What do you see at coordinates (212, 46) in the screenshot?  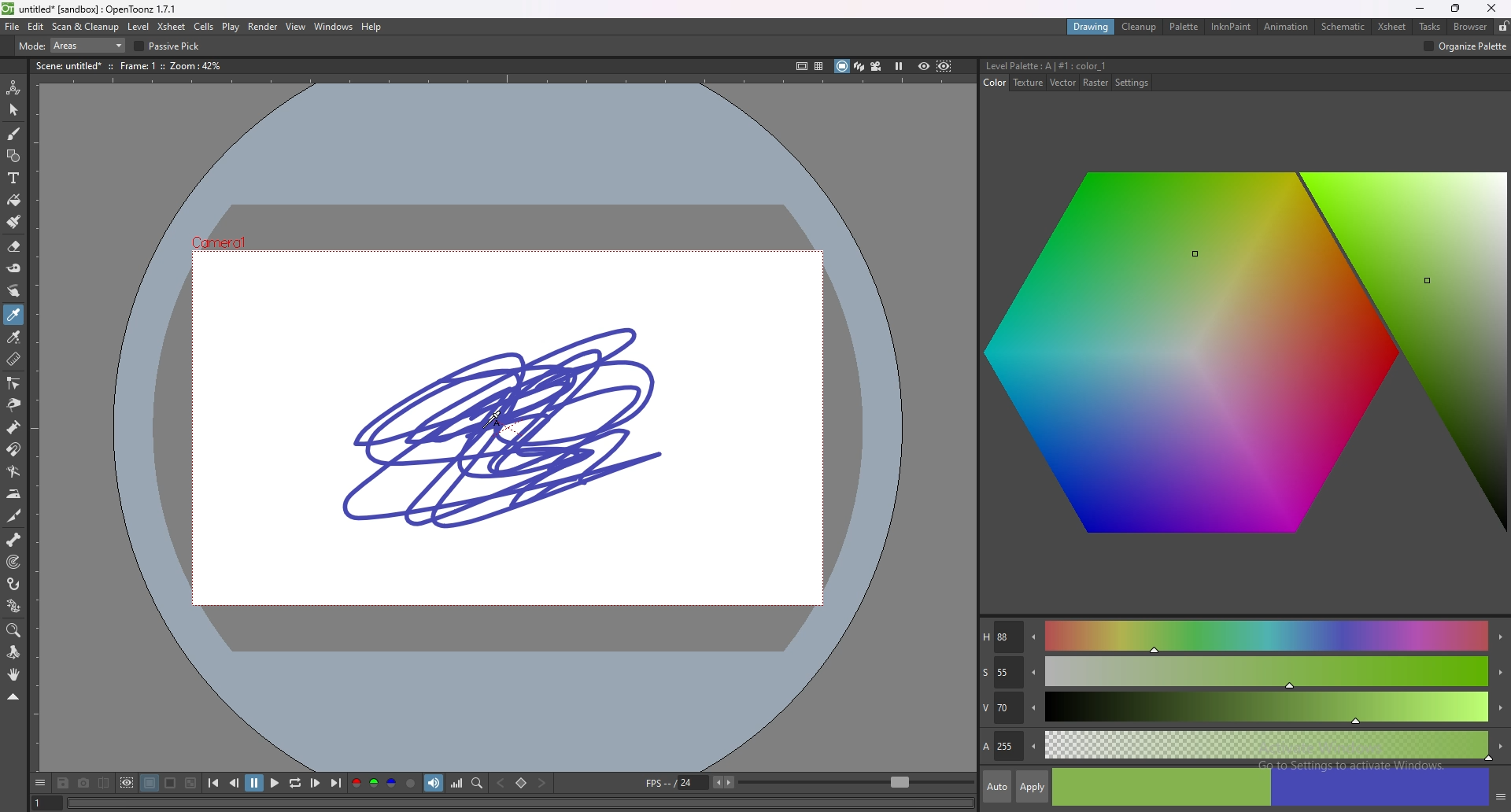 I see `mode` at bounding box center [212, 46].